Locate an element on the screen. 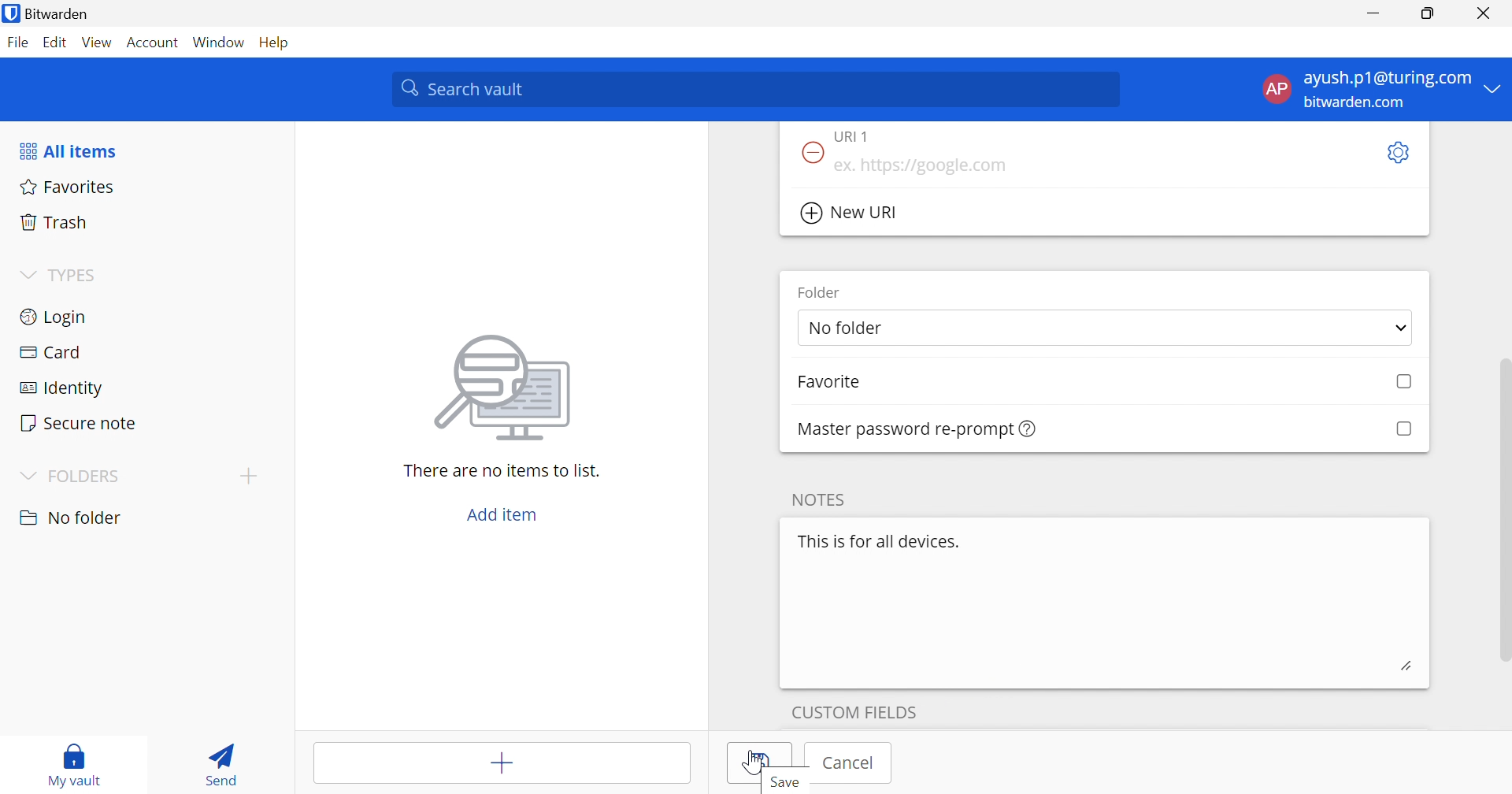  Identity is located at coordinates (64, 389).